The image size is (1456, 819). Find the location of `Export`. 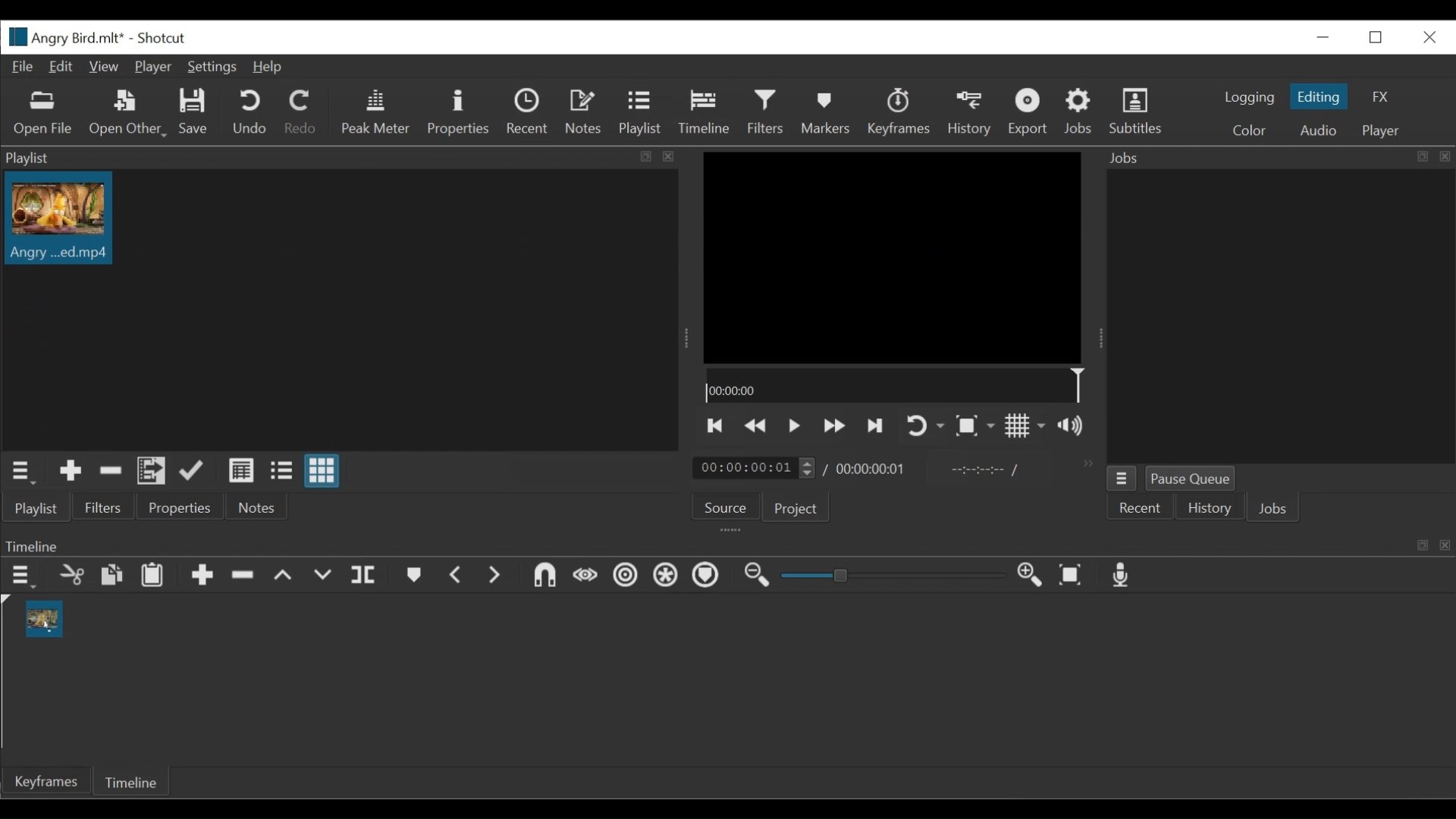

Export is located at coordinates (1028, 114).